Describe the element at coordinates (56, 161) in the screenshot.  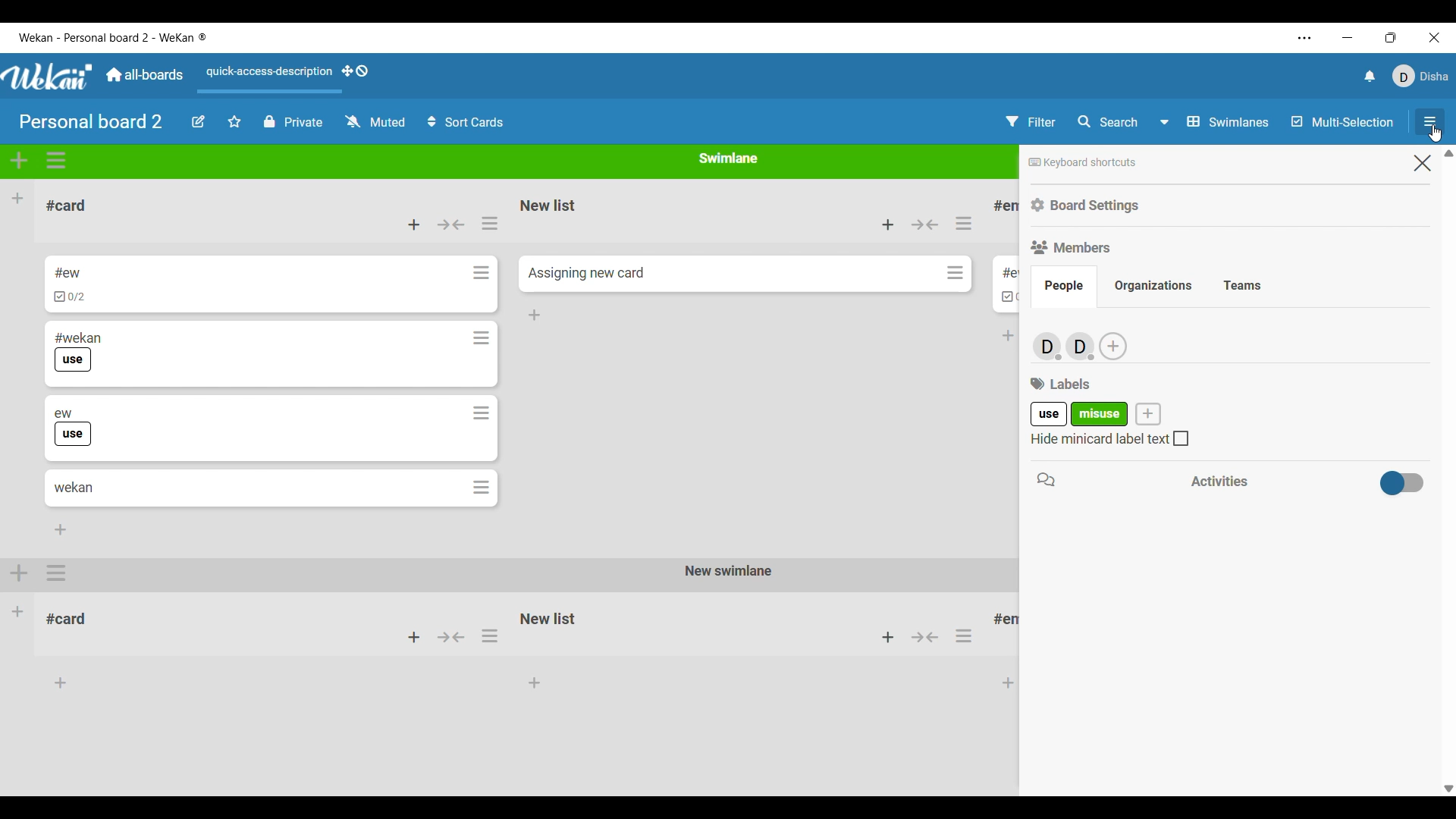
I see `Swimlane actions` at that location.